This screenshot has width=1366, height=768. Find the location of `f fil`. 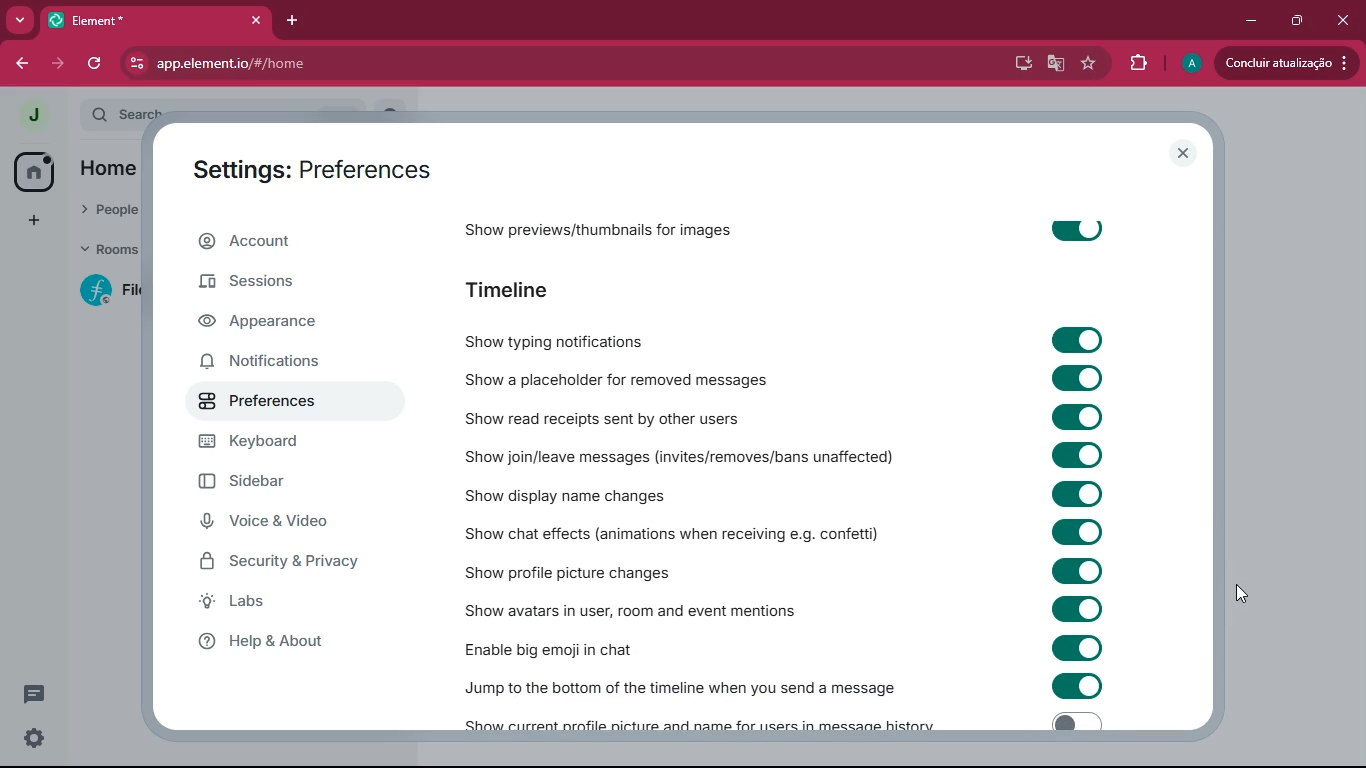

f fil is located at coordinates (103, 292).